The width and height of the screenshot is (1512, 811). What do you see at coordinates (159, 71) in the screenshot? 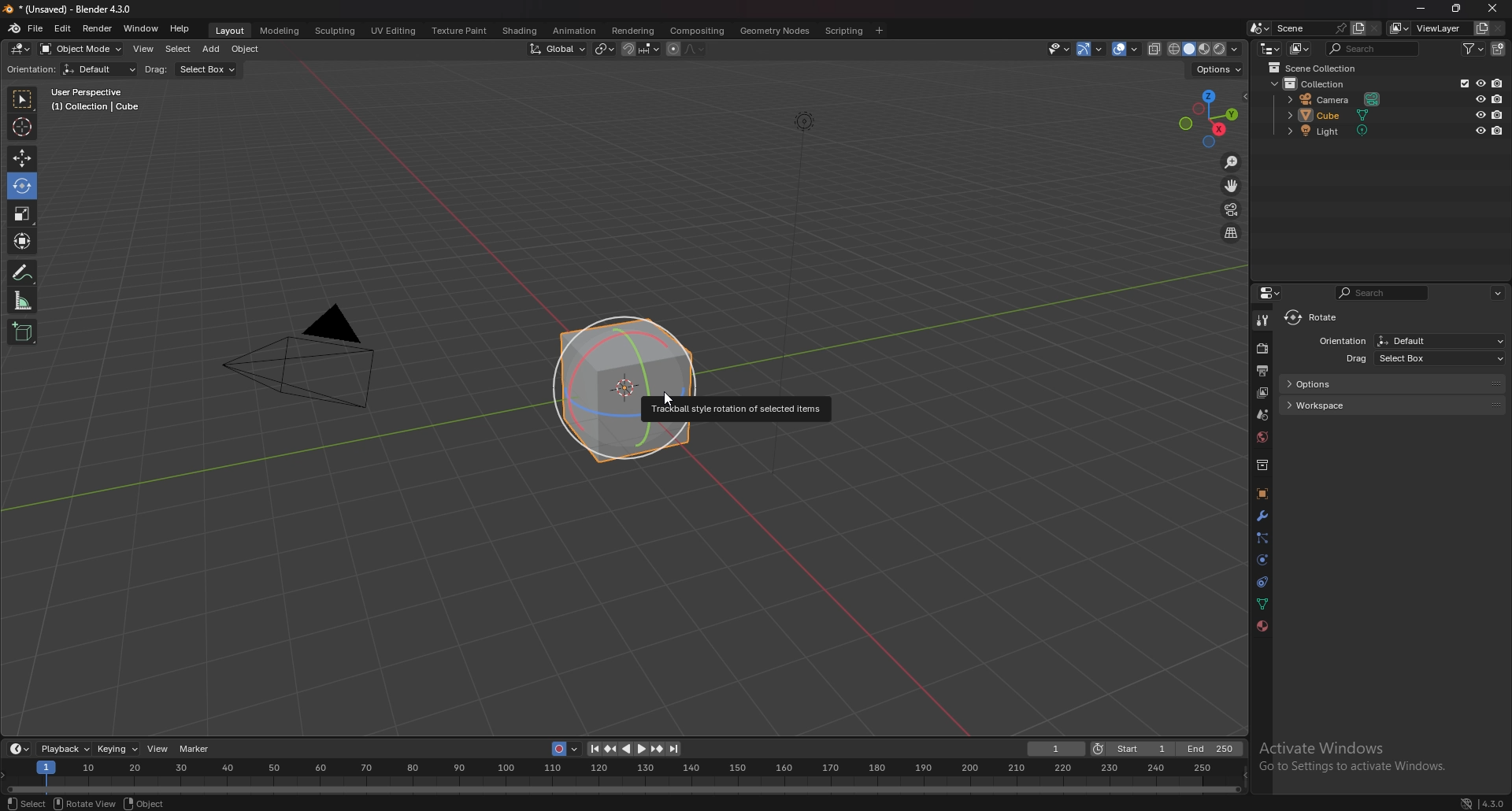
I see `drag` at bounding box center [159, 71].